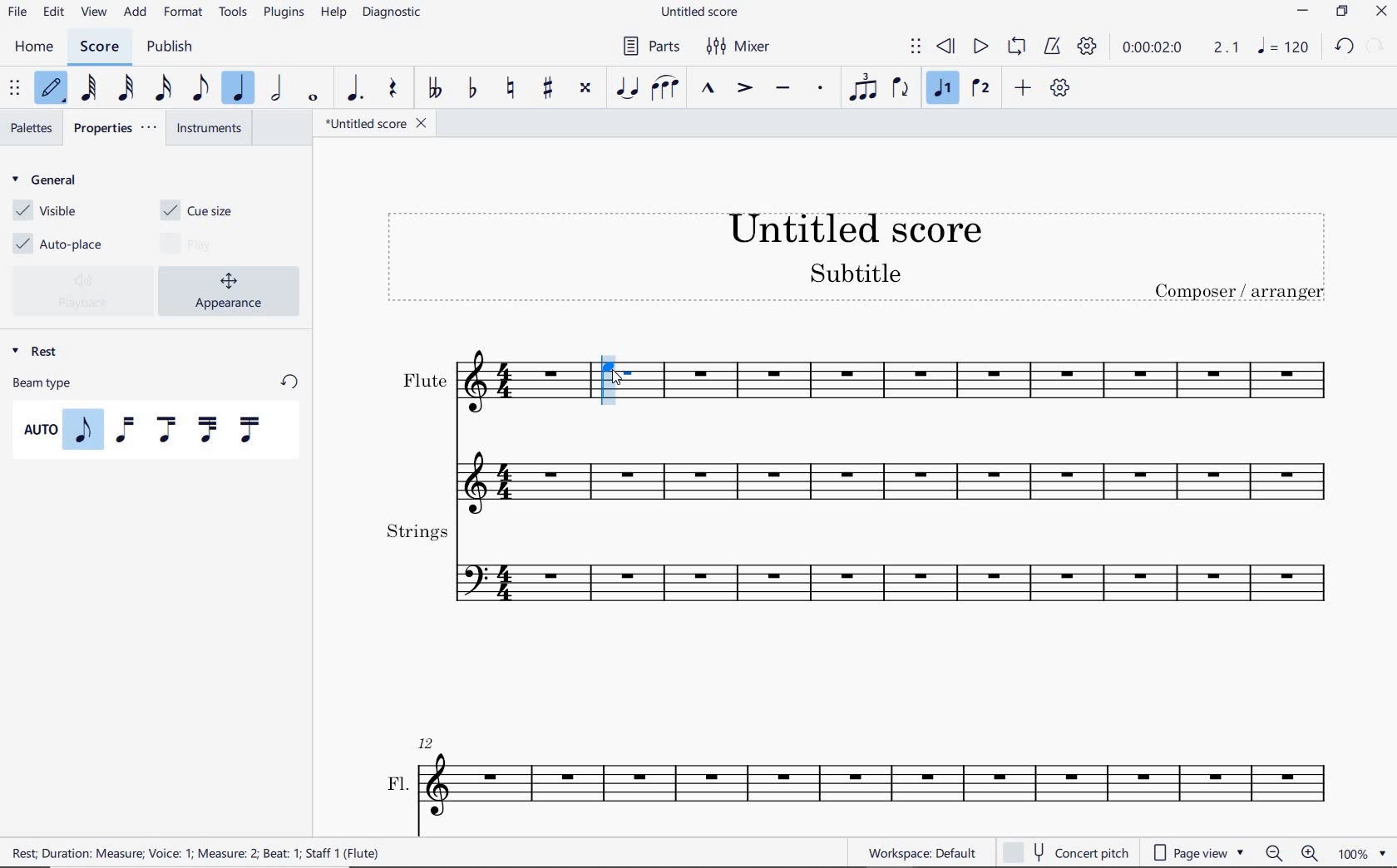 This screenshot has width=1397, height=868. Describe the element at coordinates (49, 181) in the screenshot. I see `GENERAL` at that location.